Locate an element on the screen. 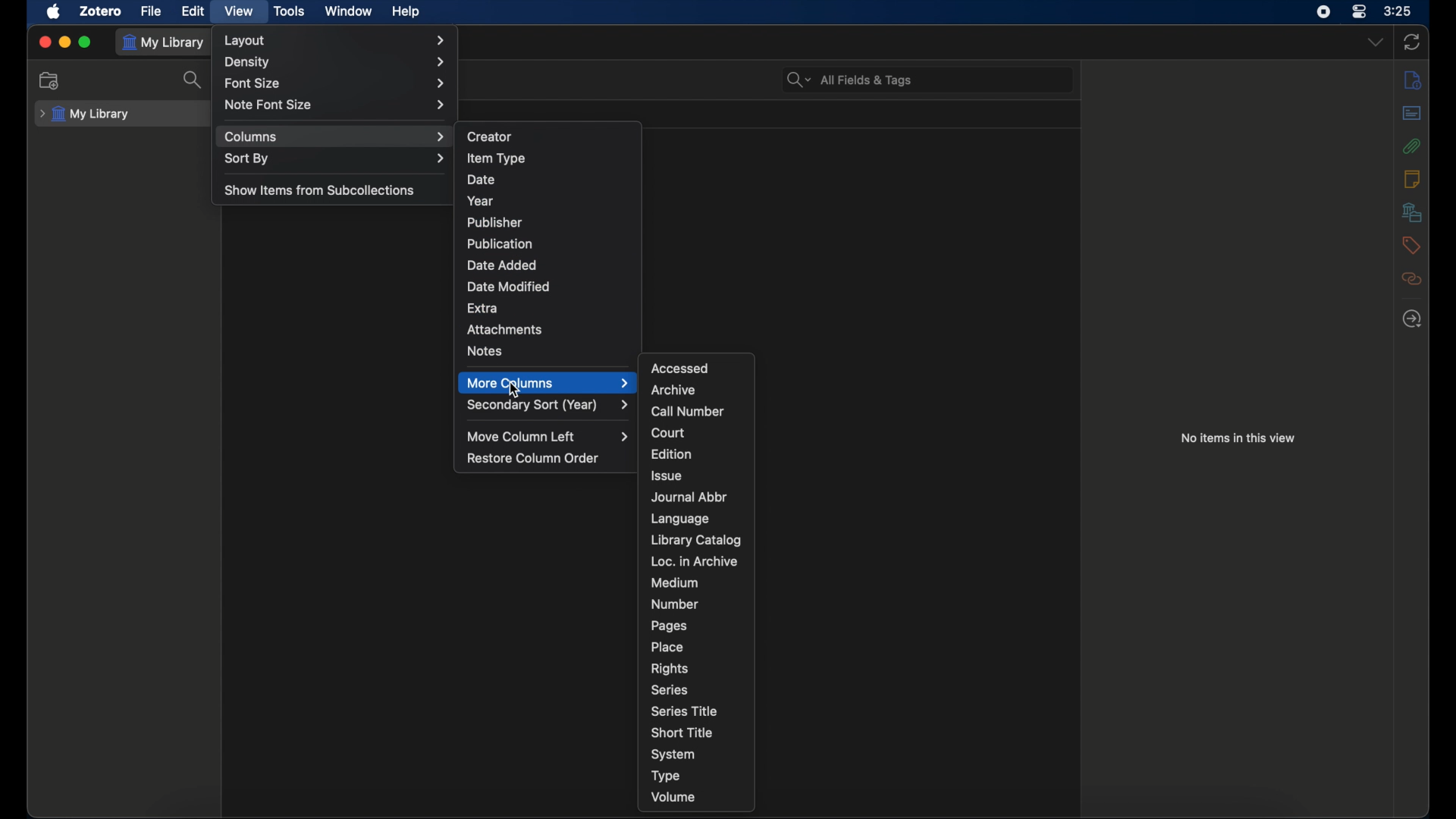  medium is located at coordinates (674, 582).